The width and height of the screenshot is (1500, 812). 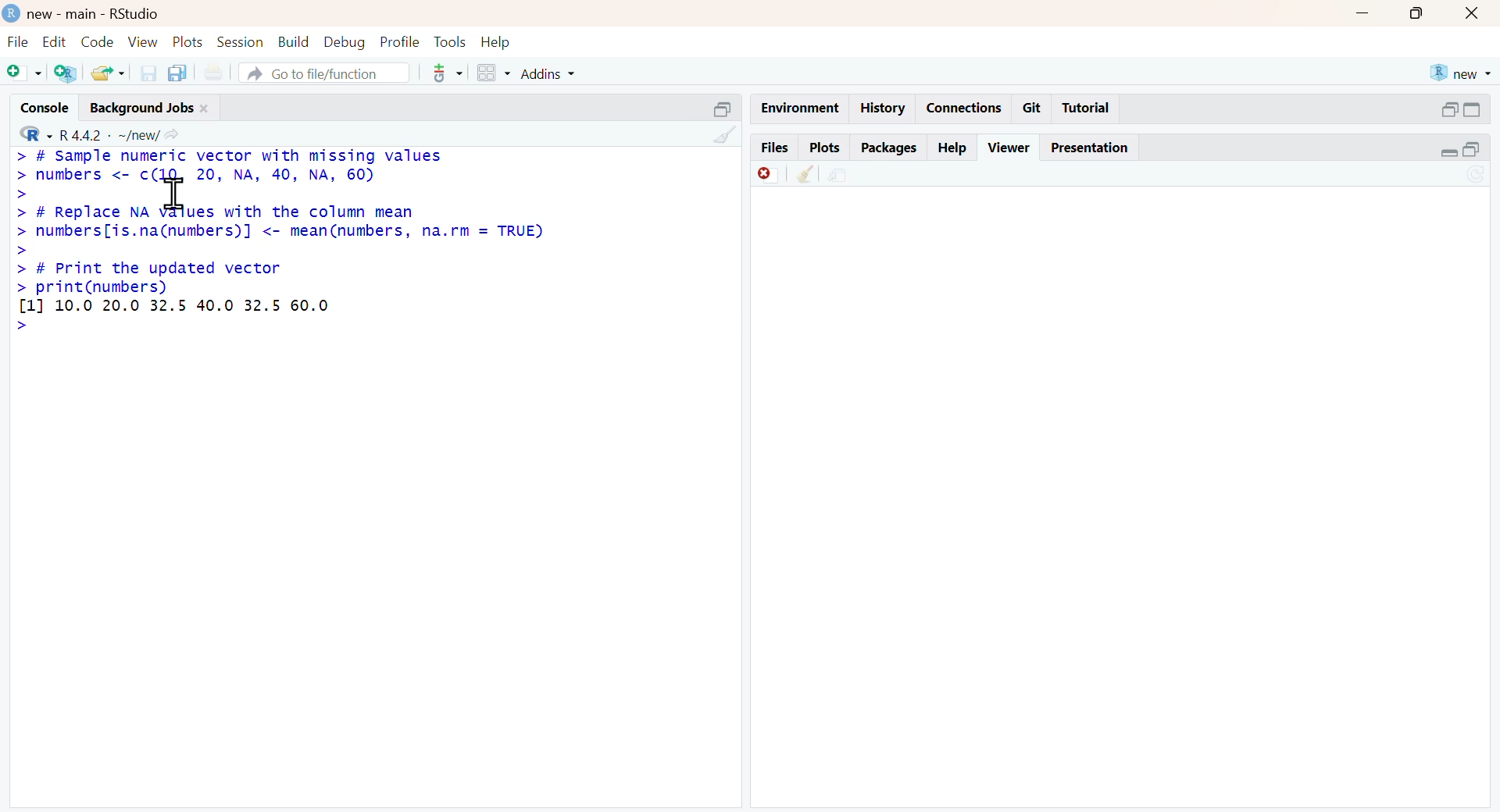 I want to click on clean, so click(x=806, y=175).